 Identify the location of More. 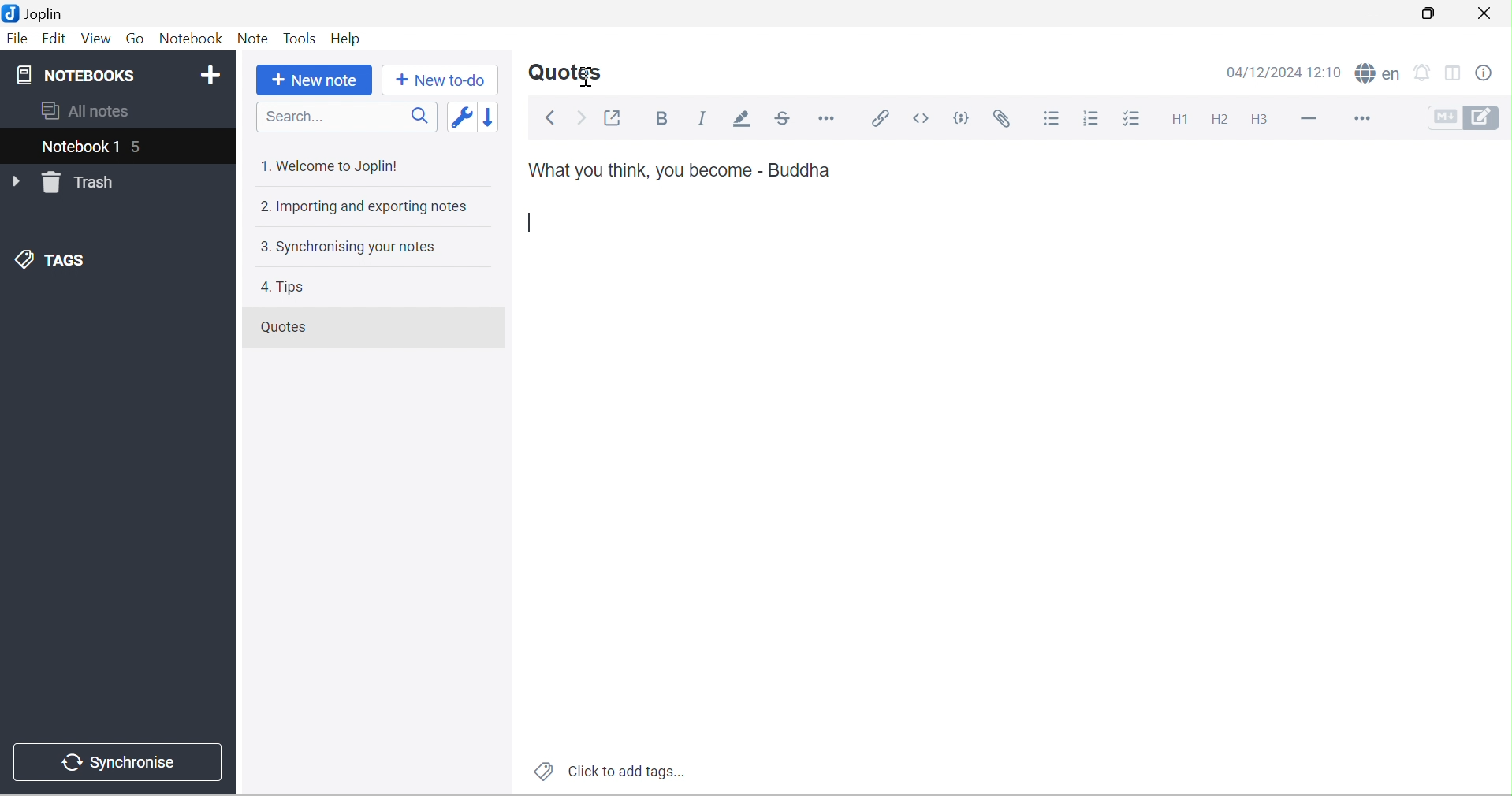
(1361, 119).